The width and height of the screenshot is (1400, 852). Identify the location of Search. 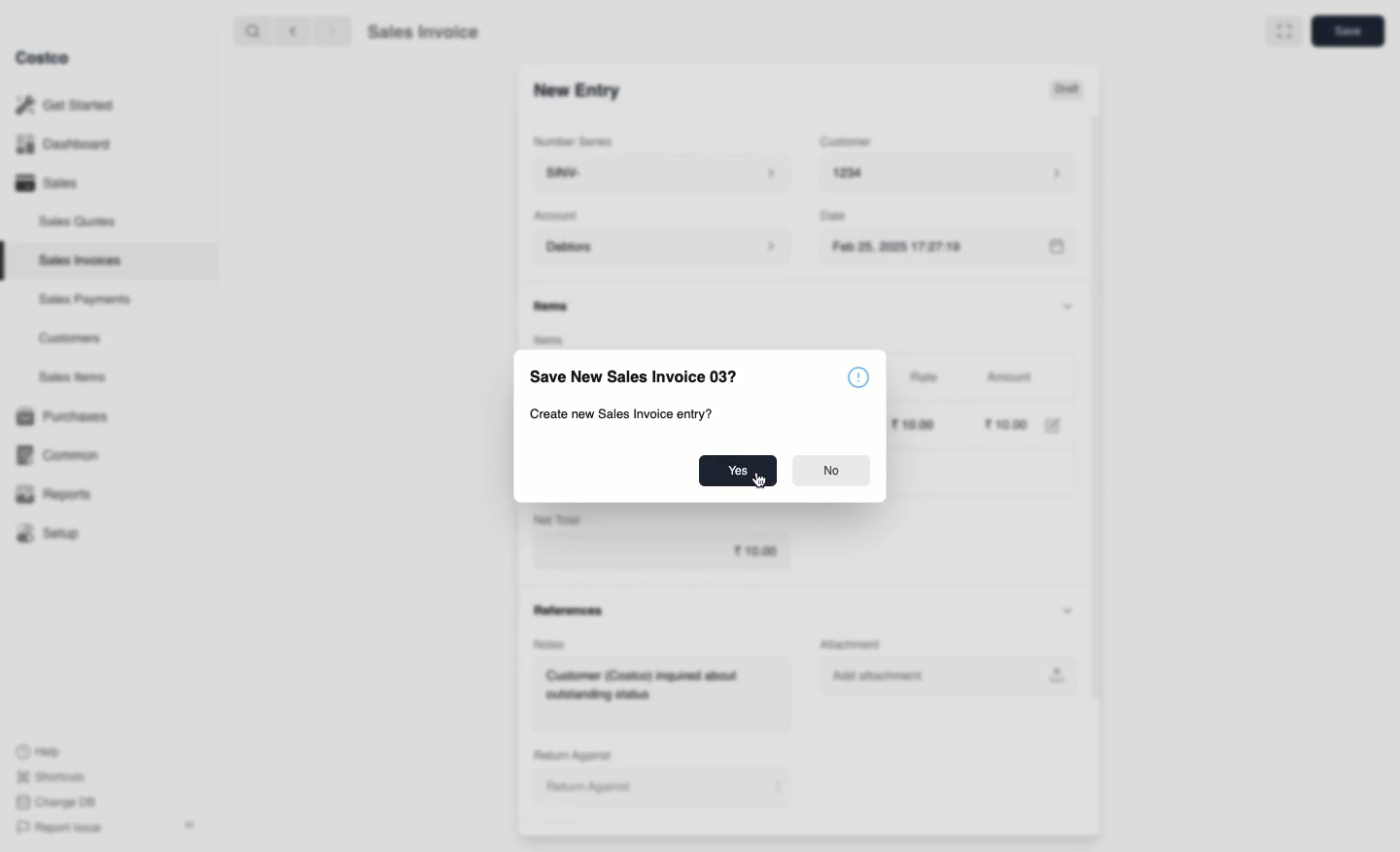
(248, 32).